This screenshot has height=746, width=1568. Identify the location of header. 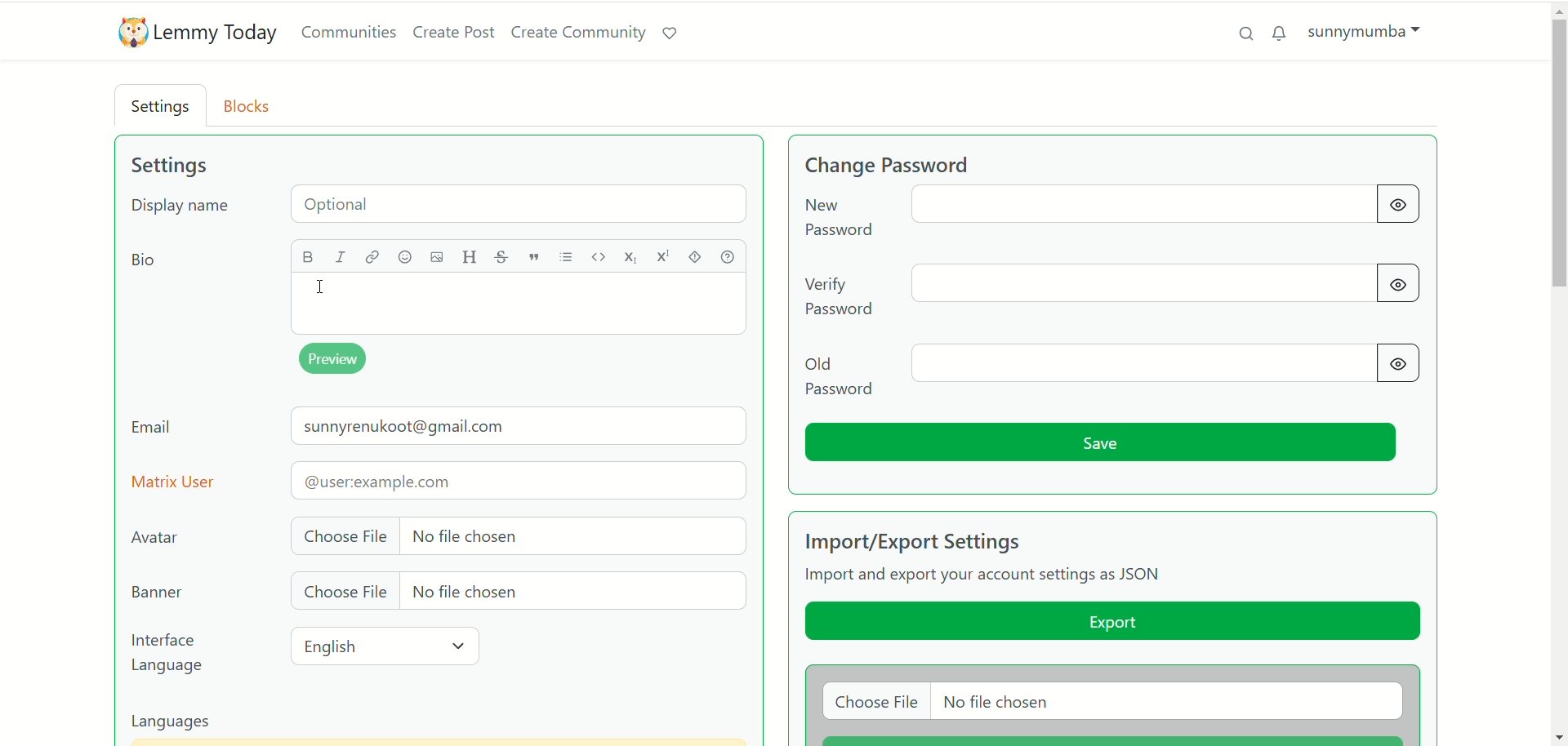
(469, 257).